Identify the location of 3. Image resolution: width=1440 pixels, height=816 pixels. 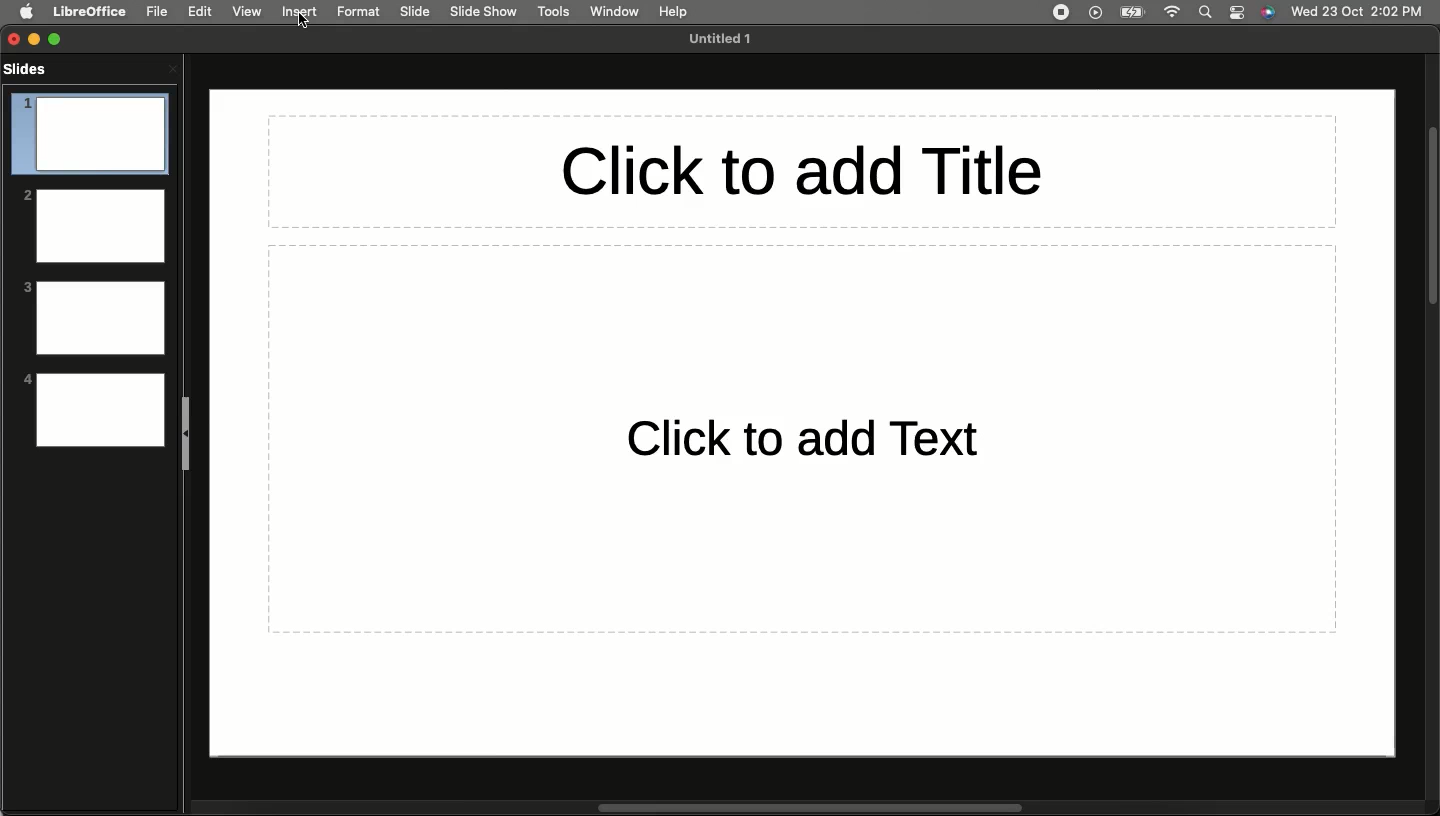
(93, 317).